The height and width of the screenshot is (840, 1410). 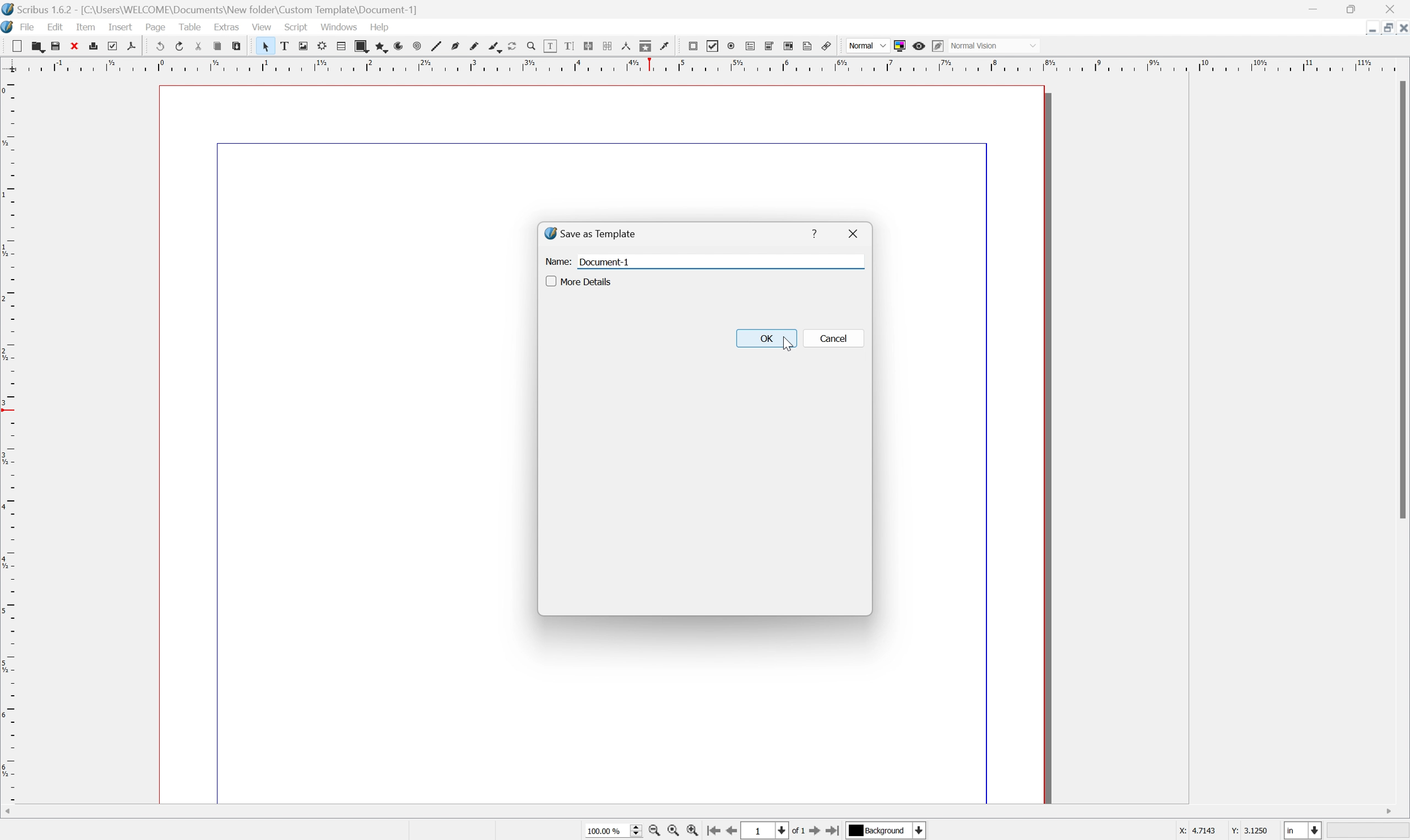 What do you see at coordinates (434, 47) in the screenshot?
I see `line` at bounding box center [434, 47].